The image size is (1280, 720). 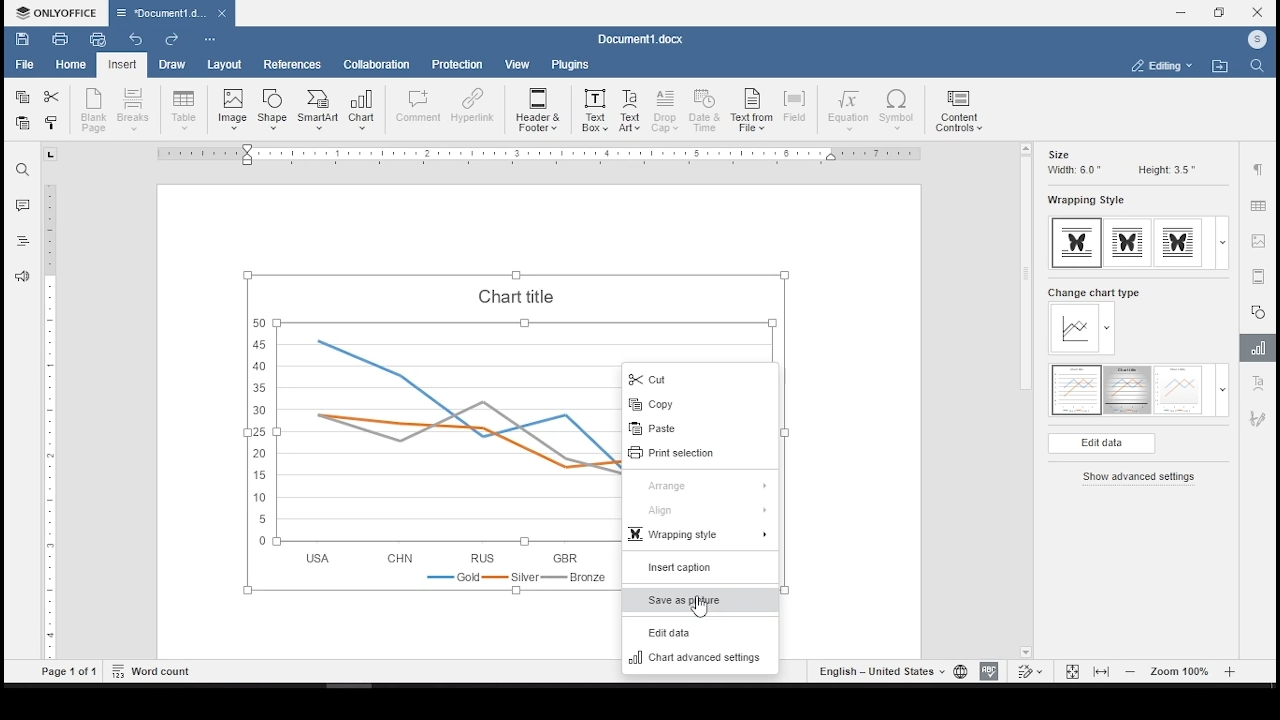 What do you see at coordinates (50, 422) in the screenshot?
I see `scrollbar` at bounding box center [50, 422].